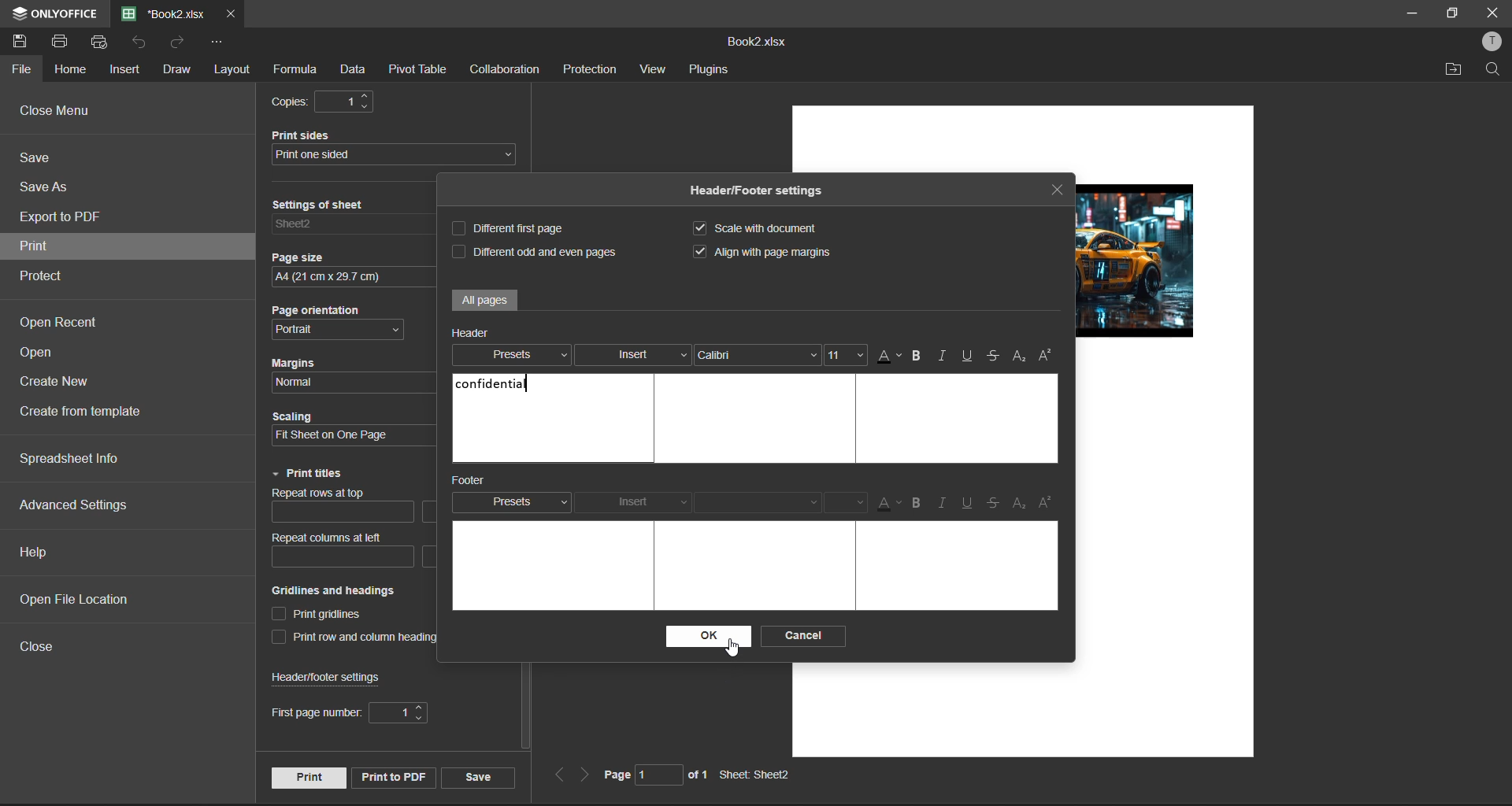 The width and height of the screenshot is (1512, 806). What do you see at coordinates (44, 650) in the screenshot?
I see `close` at bounding box center [44, 650].